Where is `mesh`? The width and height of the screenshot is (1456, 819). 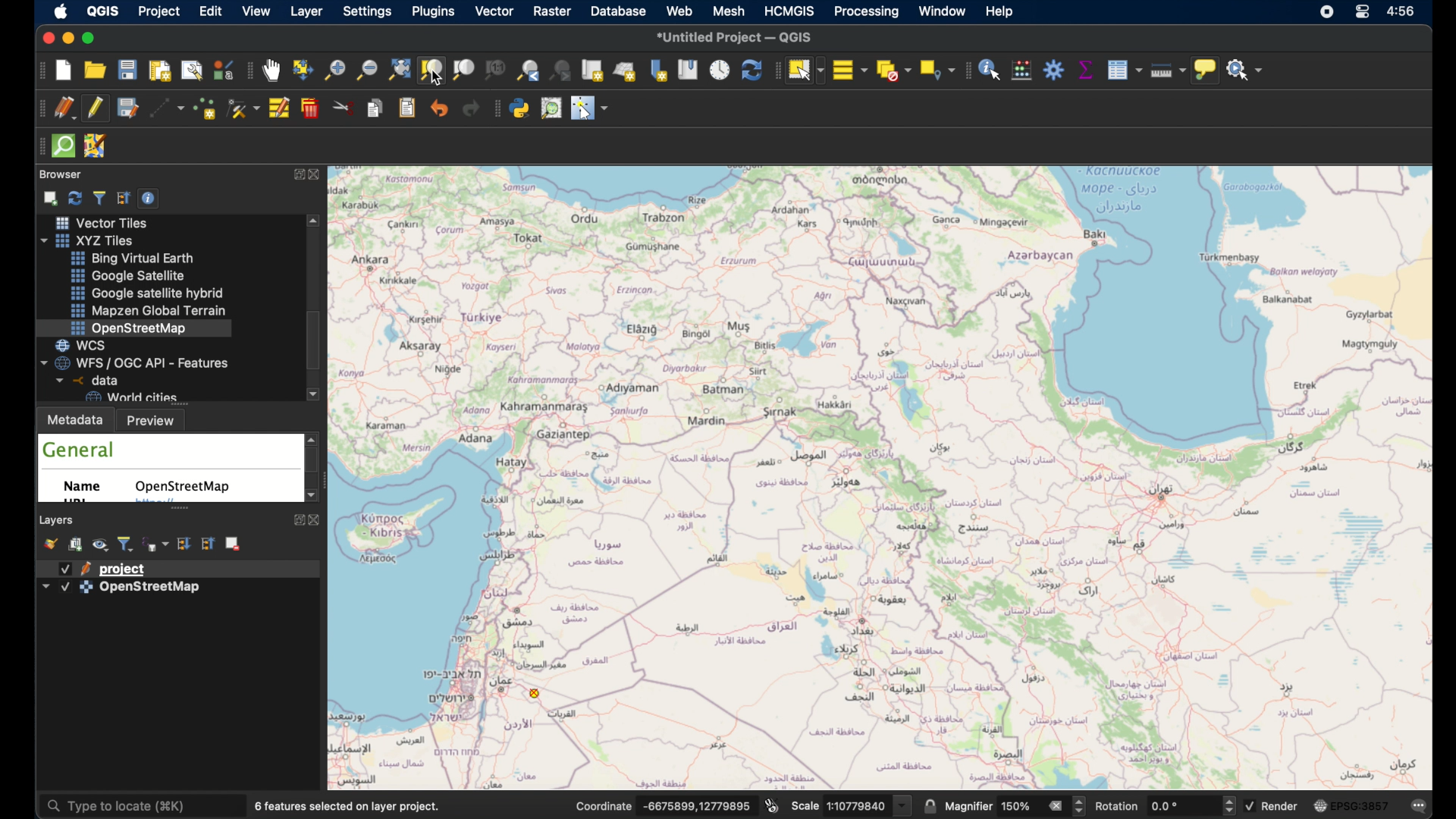 mesh is located at coordinates (727, 10).